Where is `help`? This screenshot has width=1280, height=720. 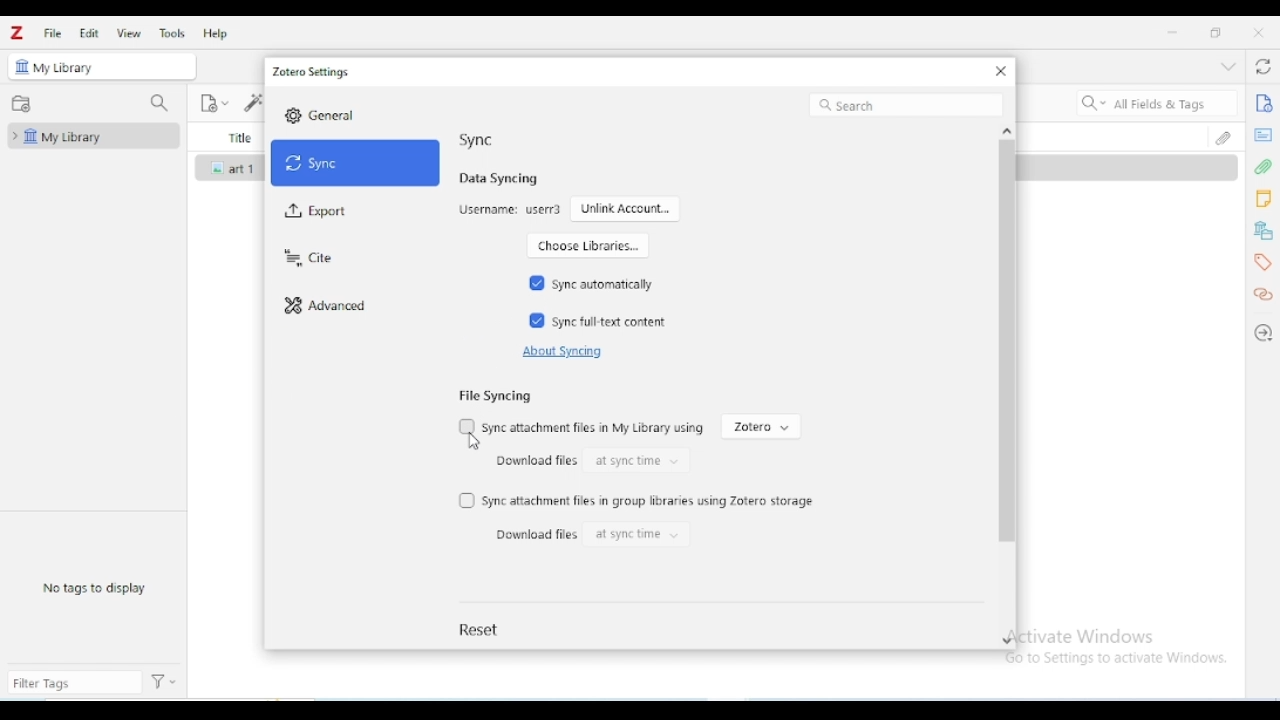 help is located at coordinates (215, 33).